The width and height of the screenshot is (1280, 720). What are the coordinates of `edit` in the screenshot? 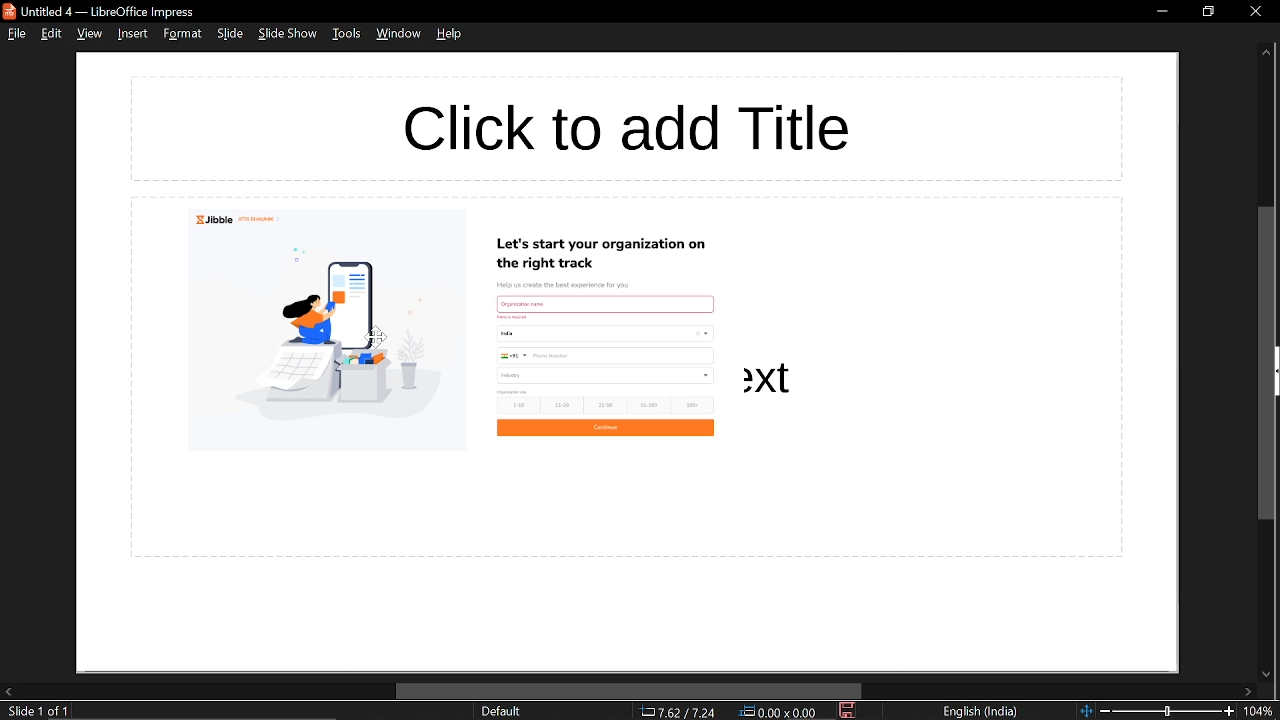 It's located at (53, 33).